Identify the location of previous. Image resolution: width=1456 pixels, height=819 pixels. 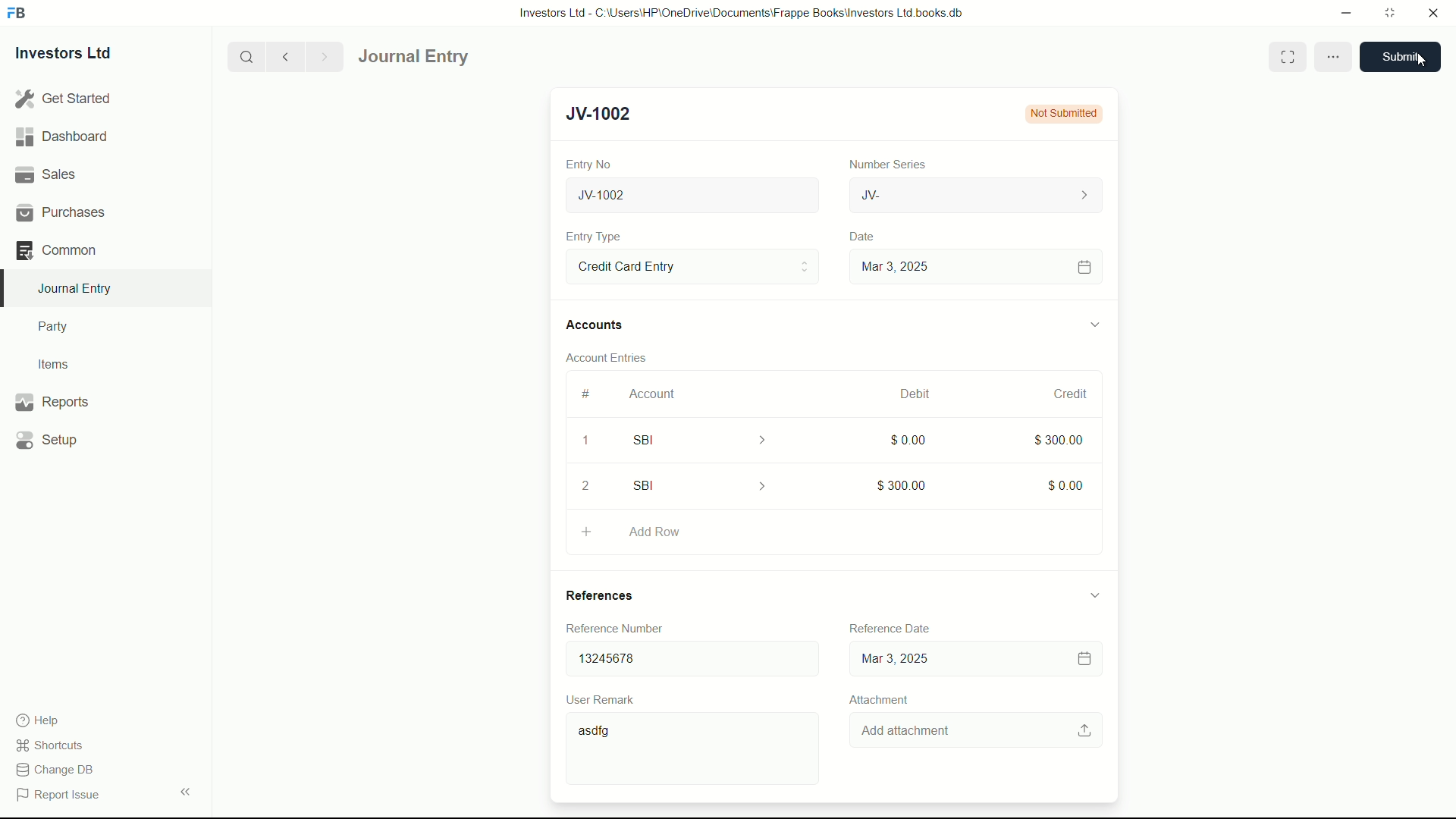
(284, 56).